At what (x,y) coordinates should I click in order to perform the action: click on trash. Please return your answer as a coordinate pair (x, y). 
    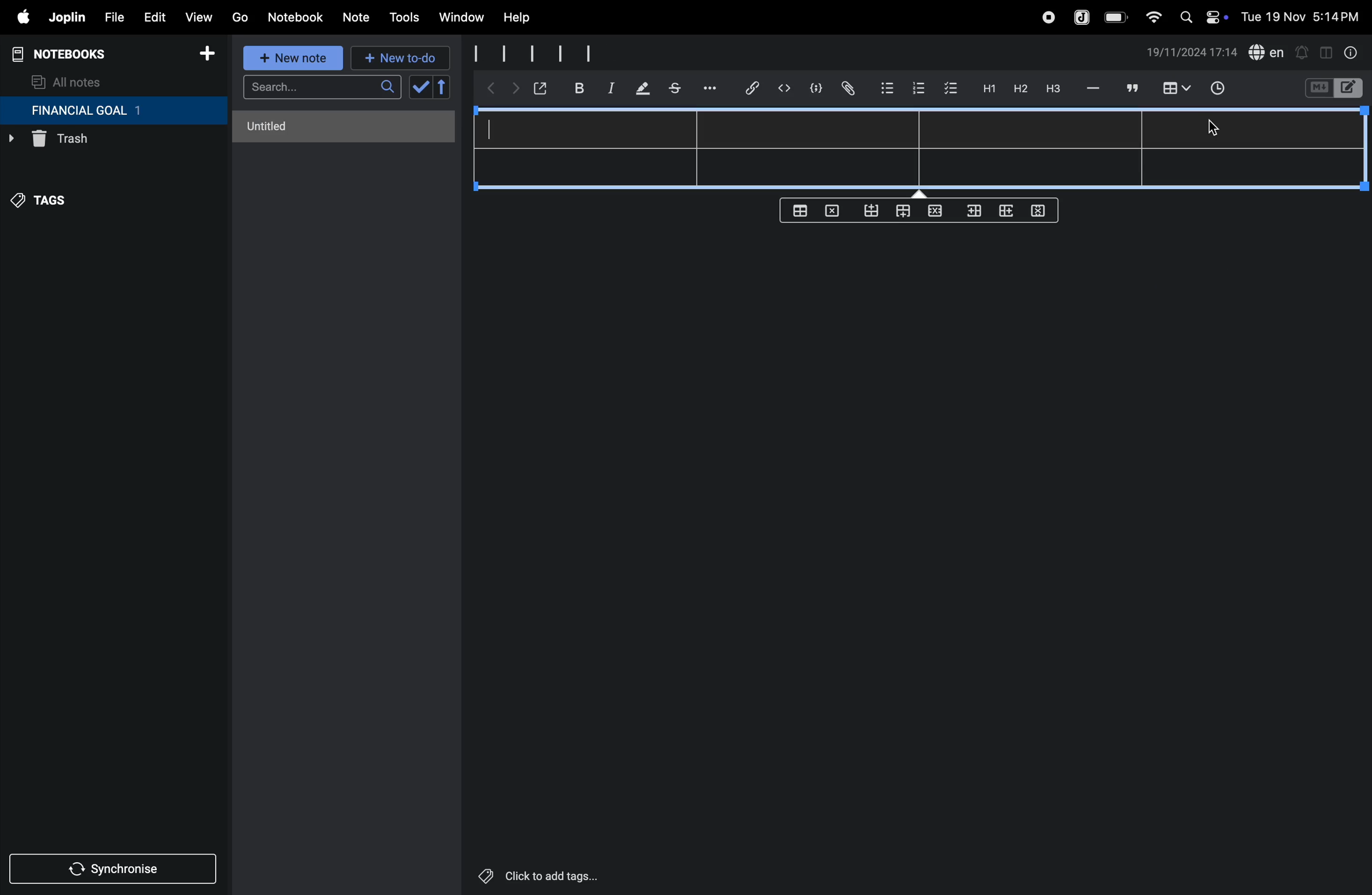
    Looking at the image, I should click on (89, 142).